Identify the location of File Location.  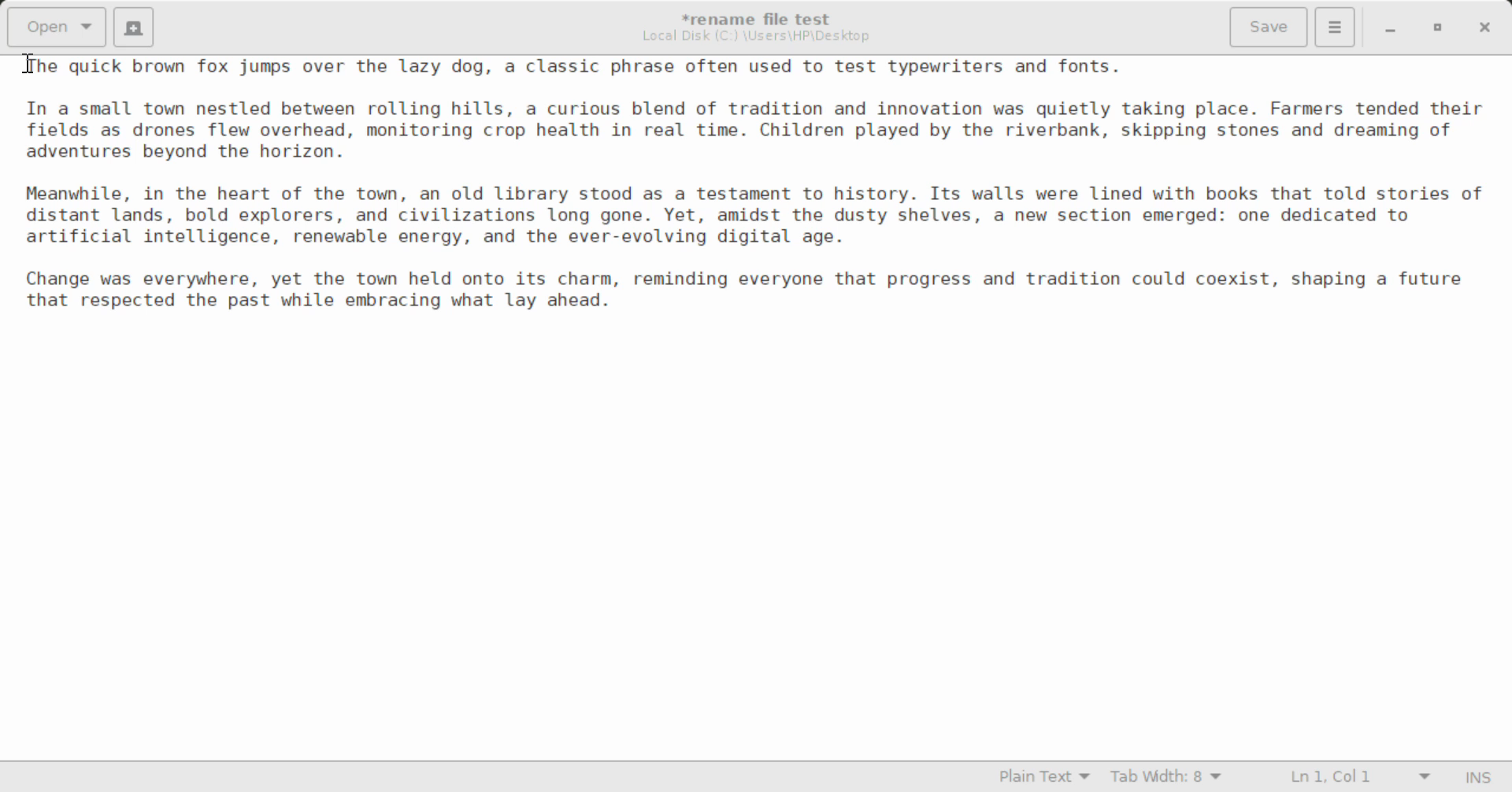
(757, 39).